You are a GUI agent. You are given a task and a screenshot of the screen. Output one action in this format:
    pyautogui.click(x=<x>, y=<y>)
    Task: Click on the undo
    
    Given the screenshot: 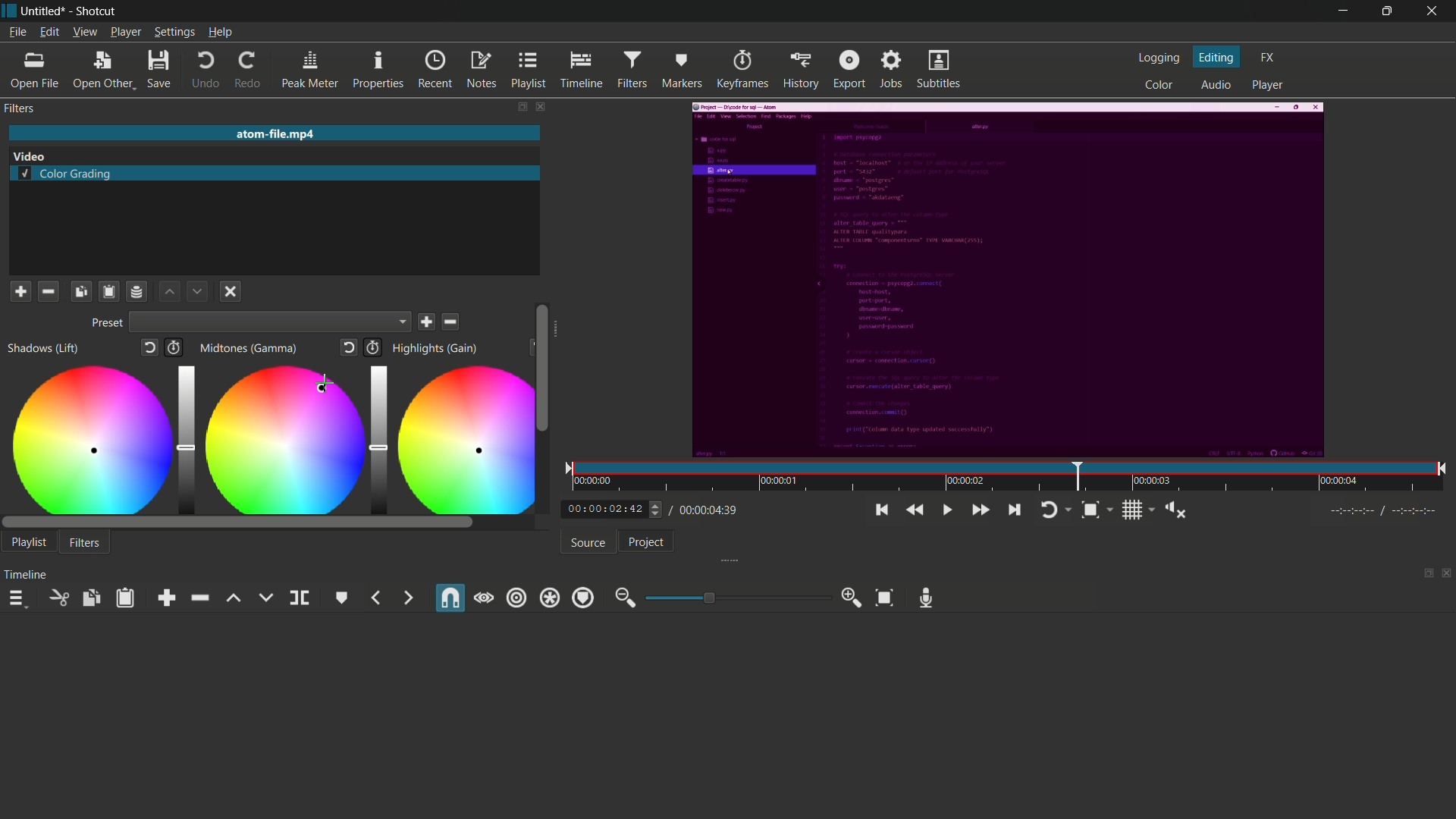 What is the action you would take?
    pyautogui.click(x=206, y=72)
    